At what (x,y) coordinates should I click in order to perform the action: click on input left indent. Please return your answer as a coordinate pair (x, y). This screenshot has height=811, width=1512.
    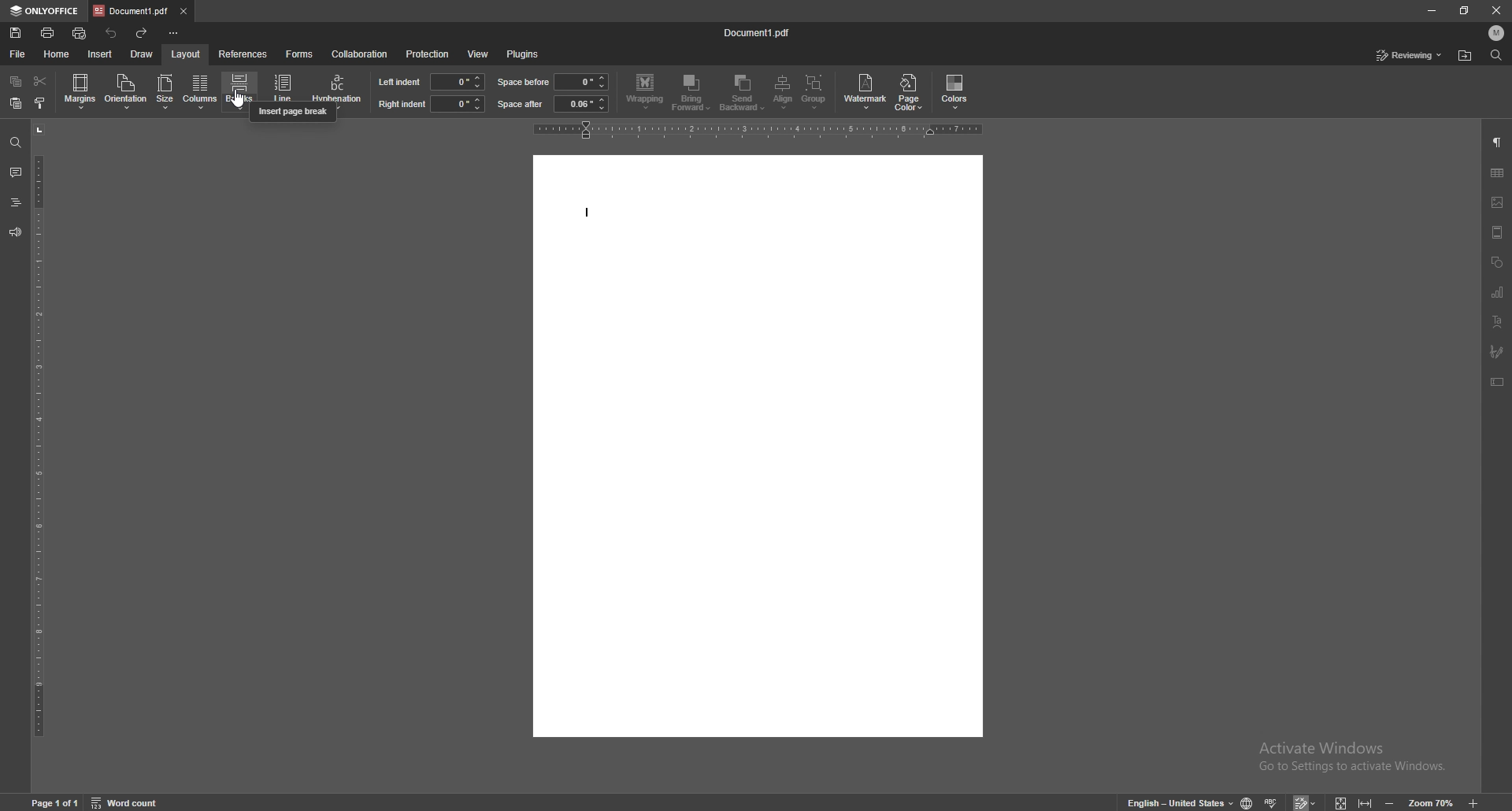
    Looking at the image, I should click on (456, 82).